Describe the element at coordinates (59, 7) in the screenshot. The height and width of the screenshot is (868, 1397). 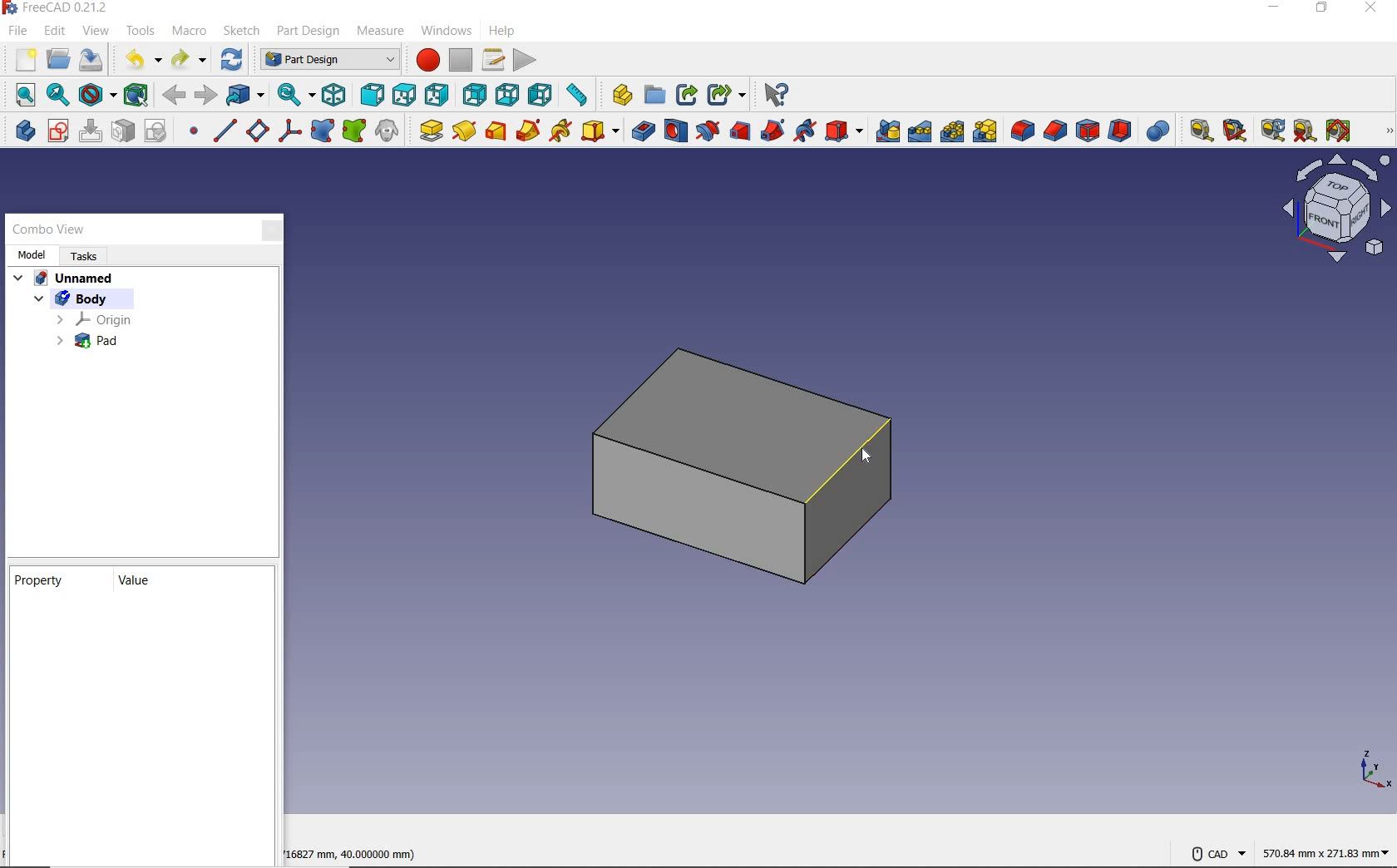
I see `FreeCAD 0.21.2` at that location.